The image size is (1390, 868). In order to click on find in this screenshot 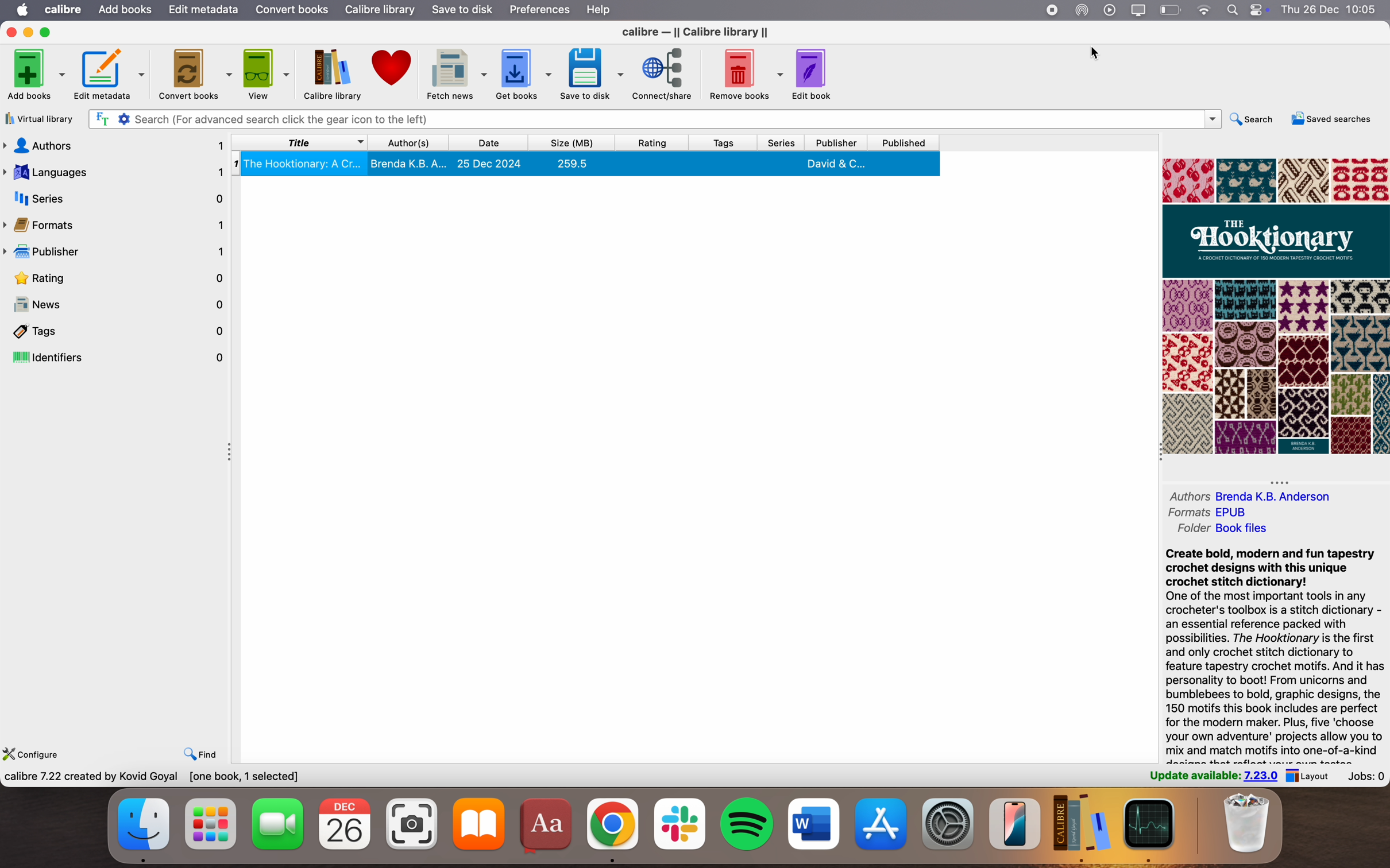, I will do `click(202, 756)`.